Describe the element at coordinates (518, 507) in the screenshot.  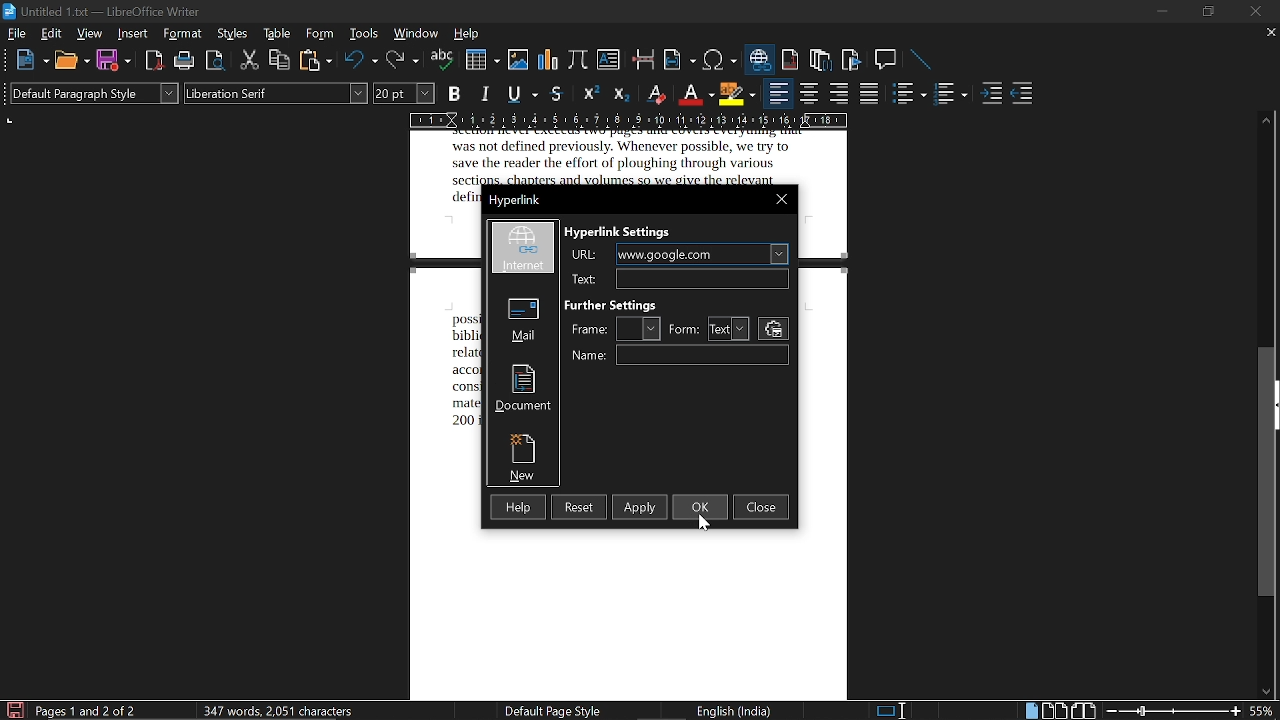
I see `help` at that location.